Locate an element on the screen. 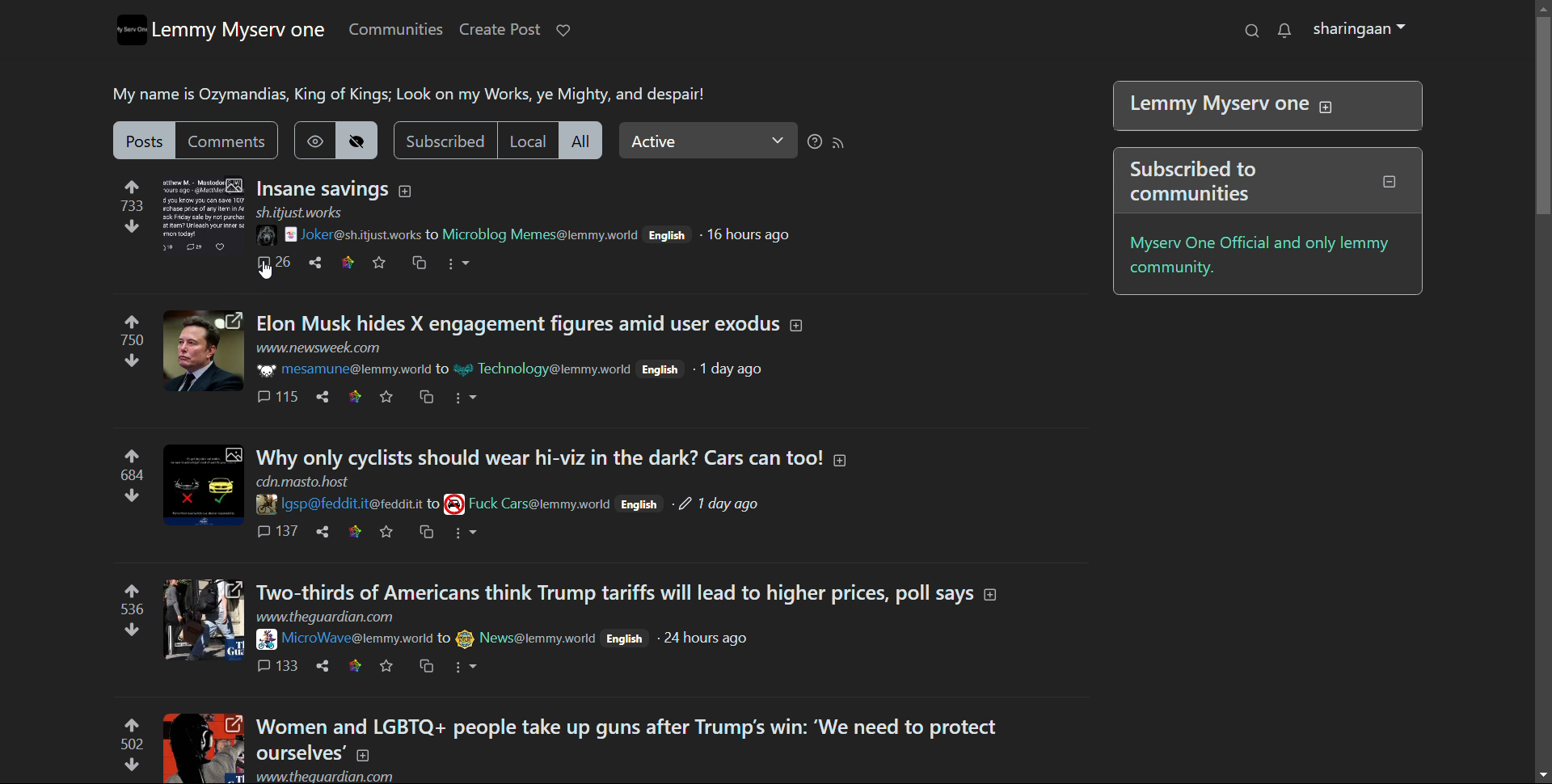 The image size is (1552, 784). scrollbar is located at coordinates (1541, 386).